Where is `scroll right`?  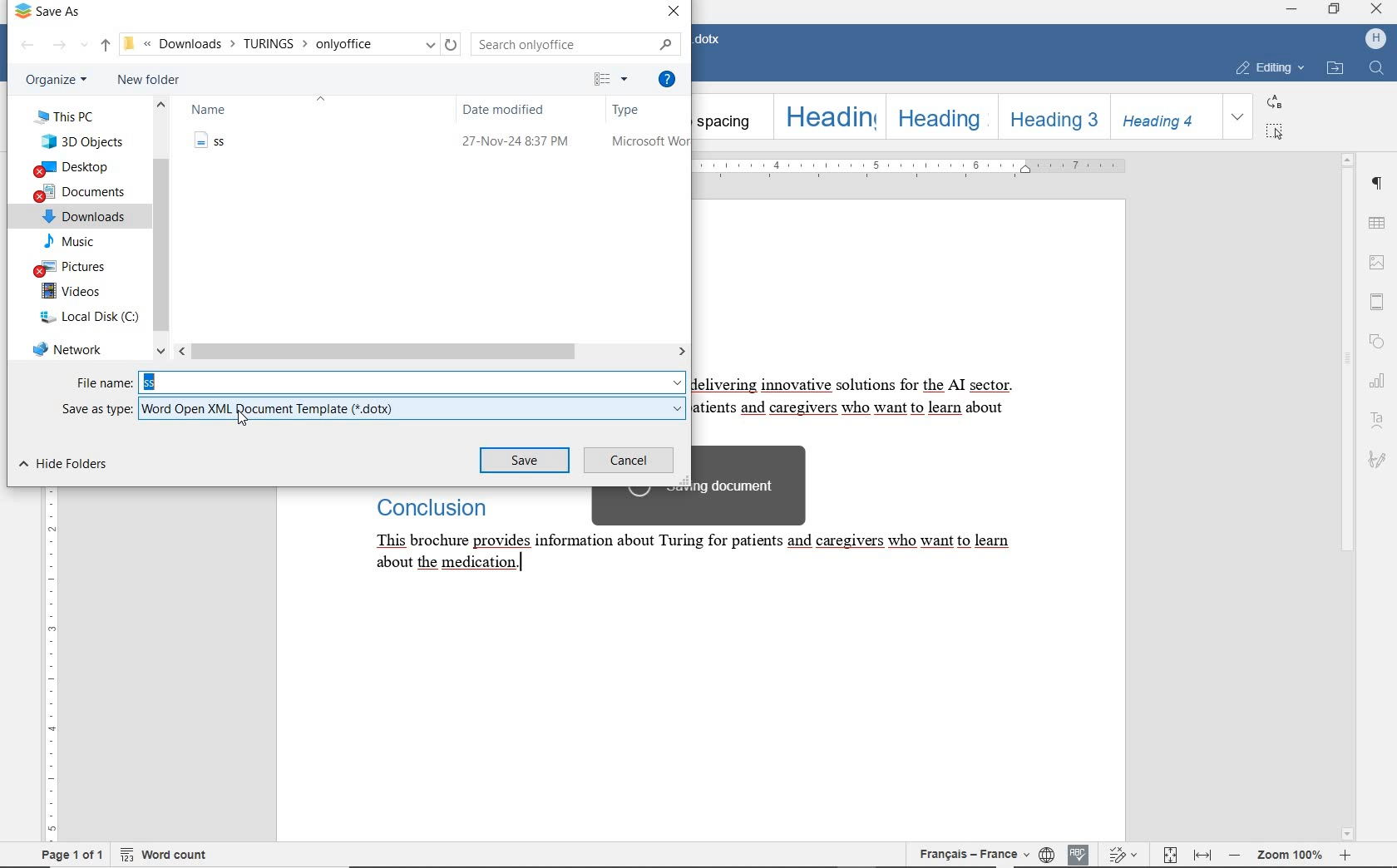
scroll right is located at coordinates (682, 350).